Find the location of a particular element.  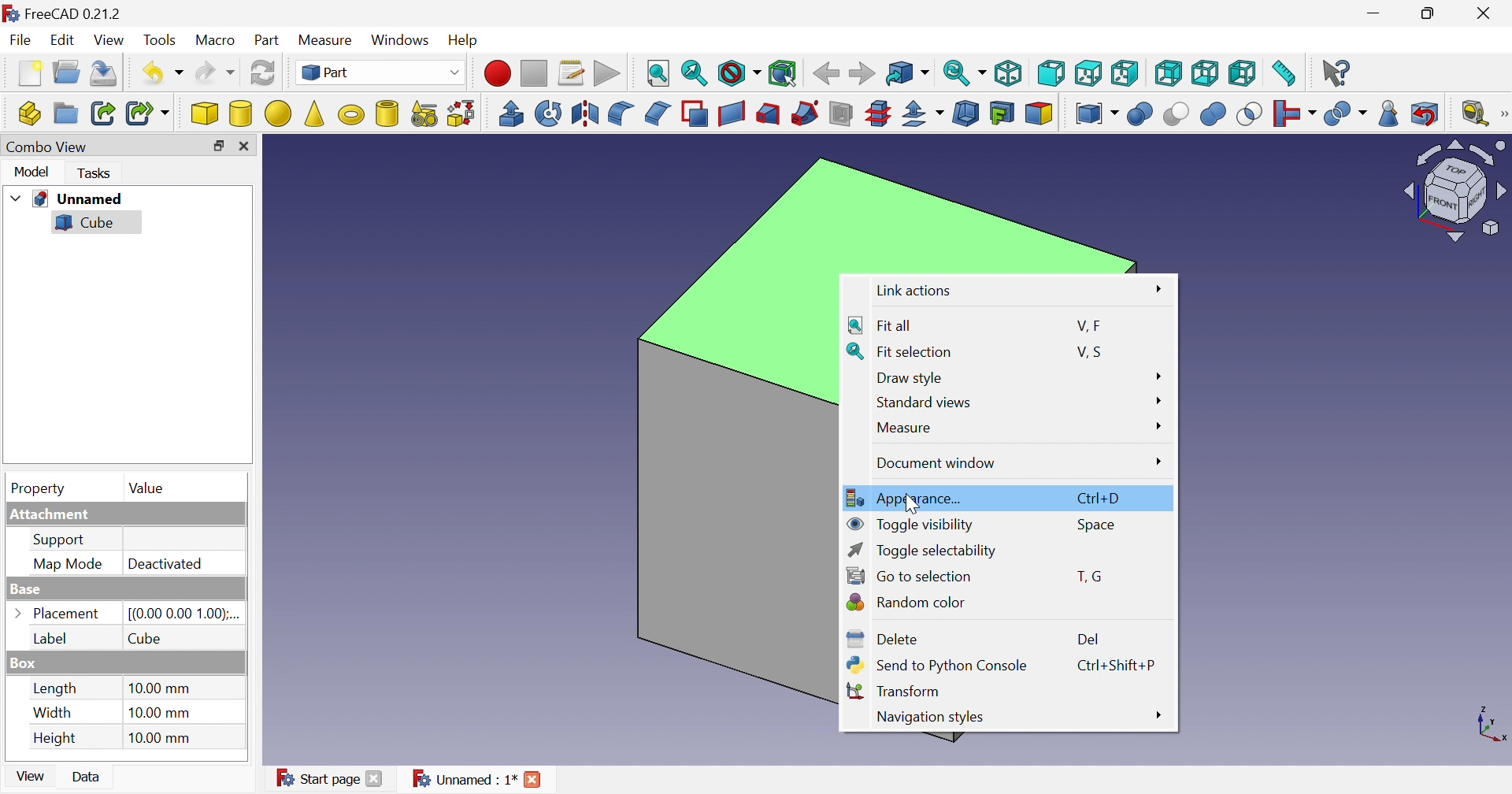

Create projection on surface is located at coordinates (1002, 113).